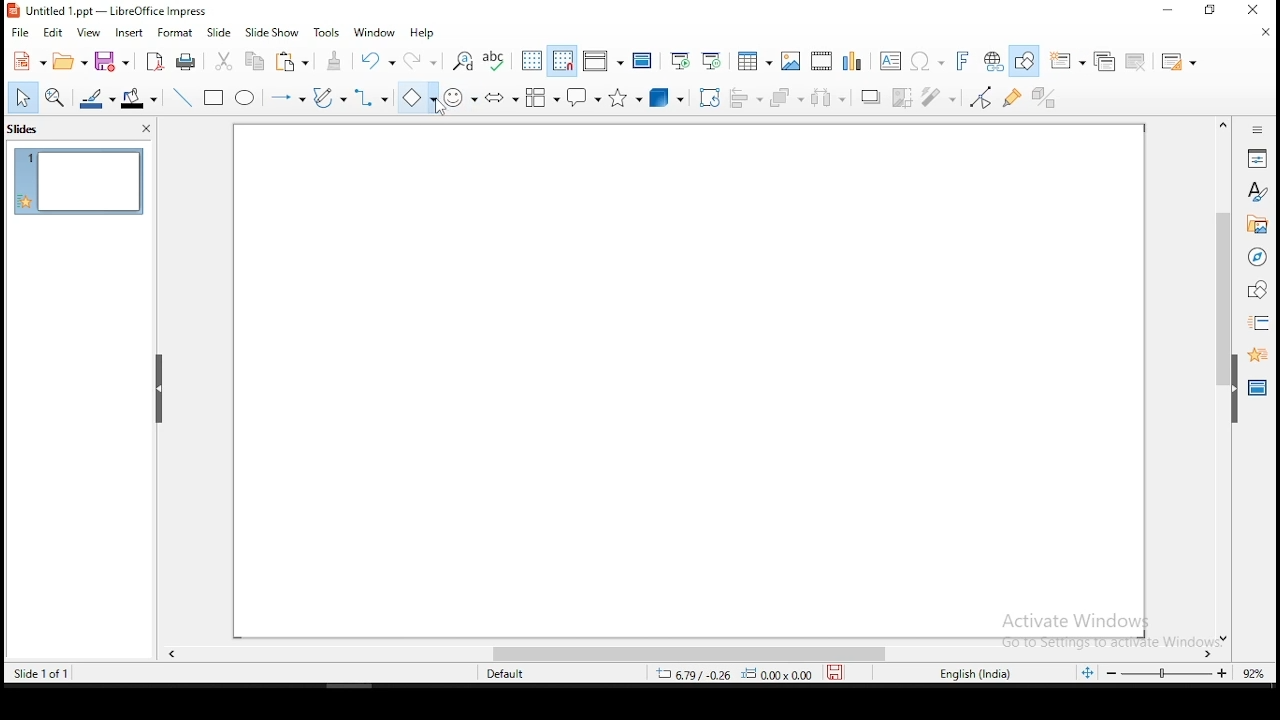 The height and width of the screenshot is (720, 1280). What do you see at coordinates (187, 63) in the screenshot?
I see `print` at bounding box center [187, 63].